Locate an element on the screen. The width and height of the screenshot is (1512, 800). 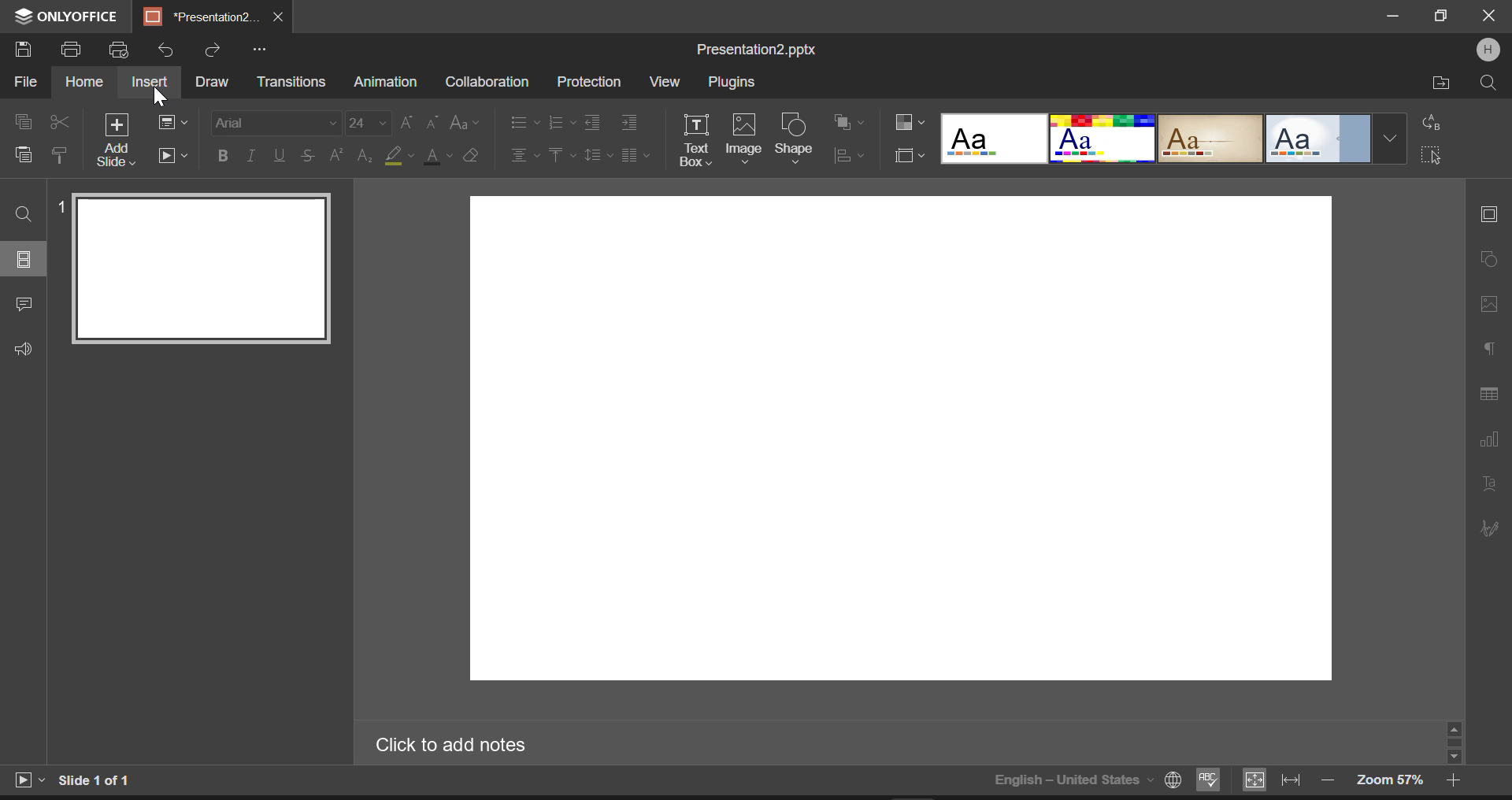
Plugins is located at coordinates (731, 83).